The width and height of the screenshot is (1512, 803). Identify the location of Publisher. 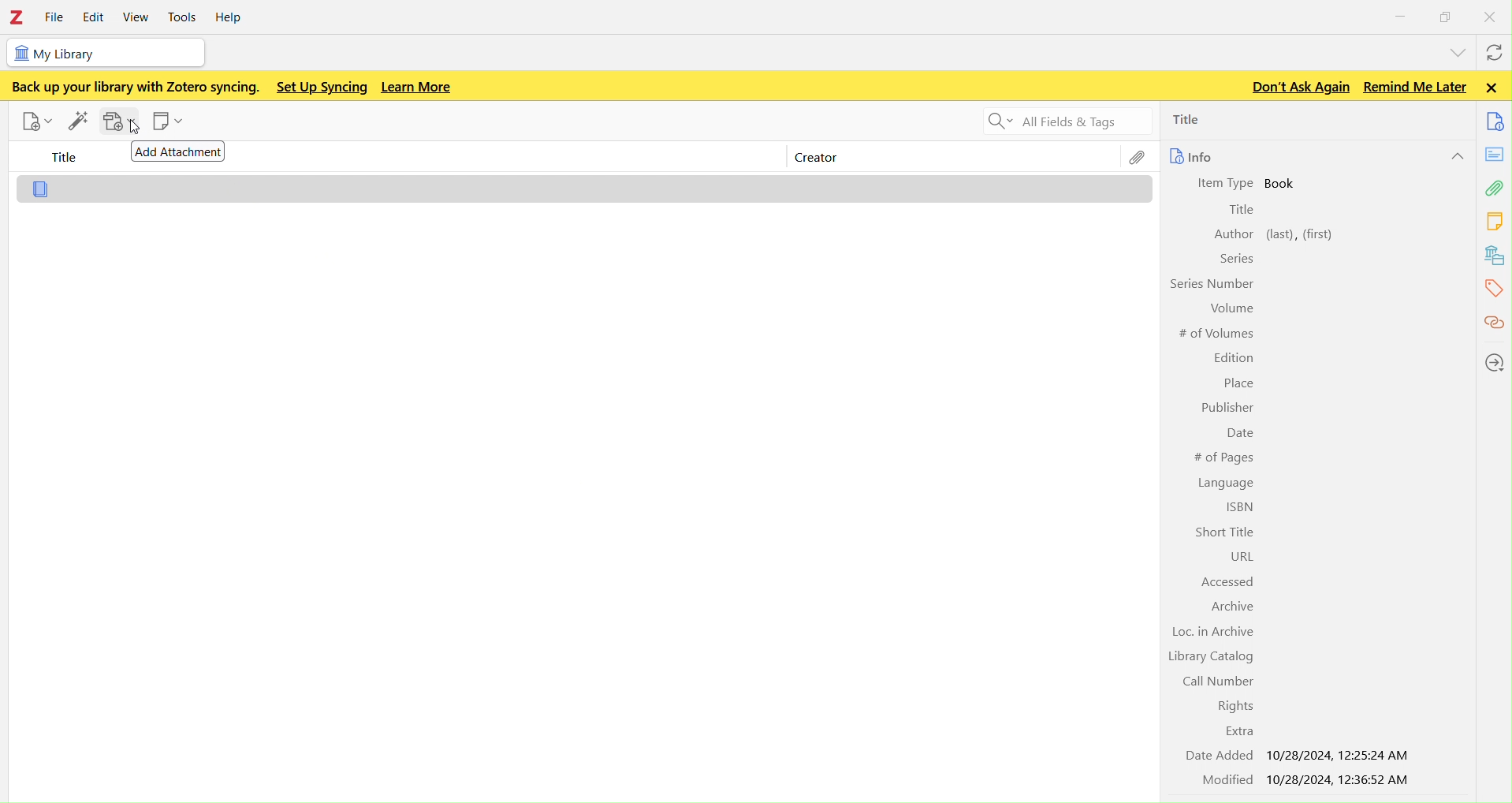
(1225, 407).